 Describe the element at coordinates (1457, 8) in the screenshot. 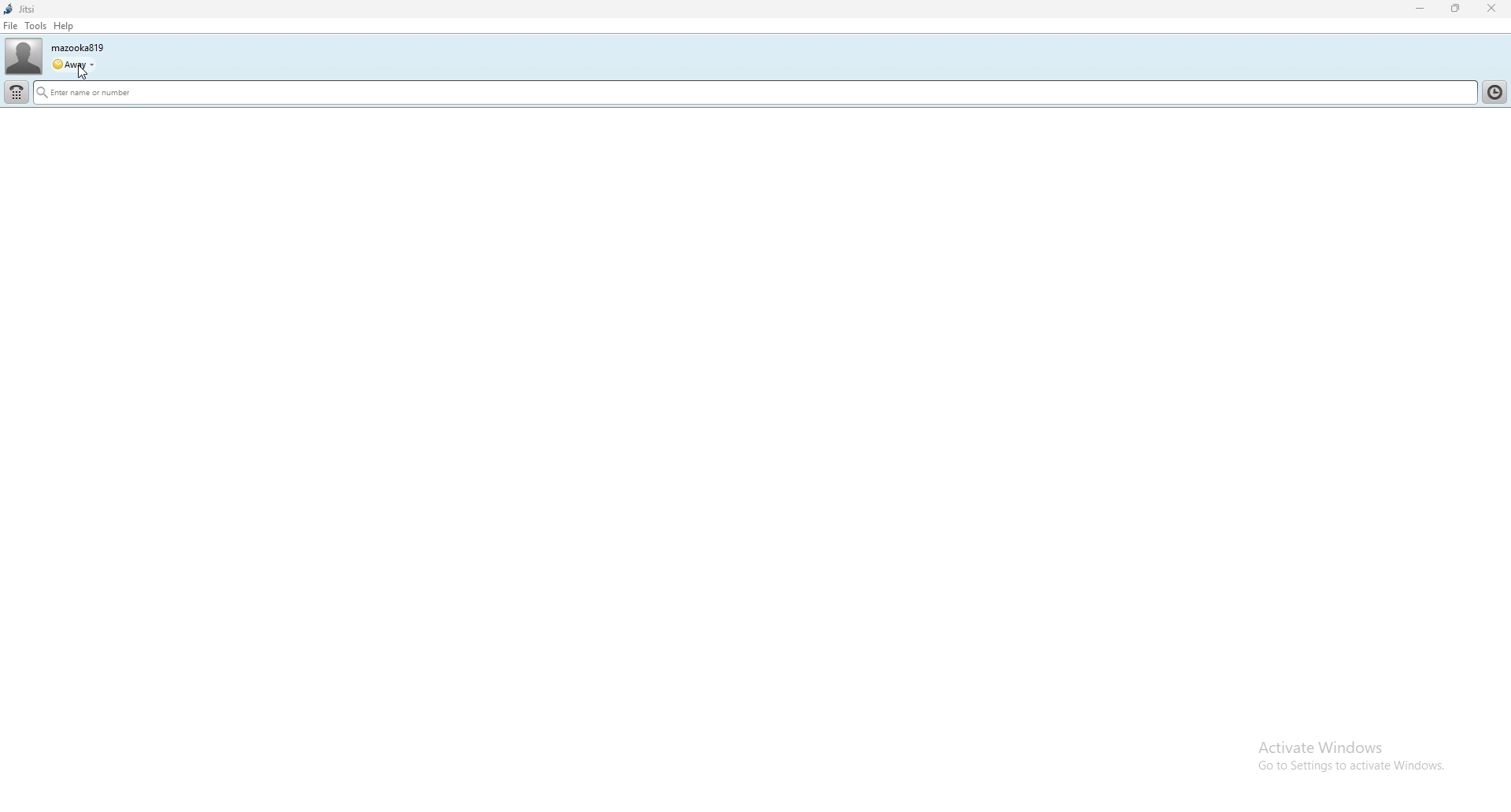

I see `resize` at that location.